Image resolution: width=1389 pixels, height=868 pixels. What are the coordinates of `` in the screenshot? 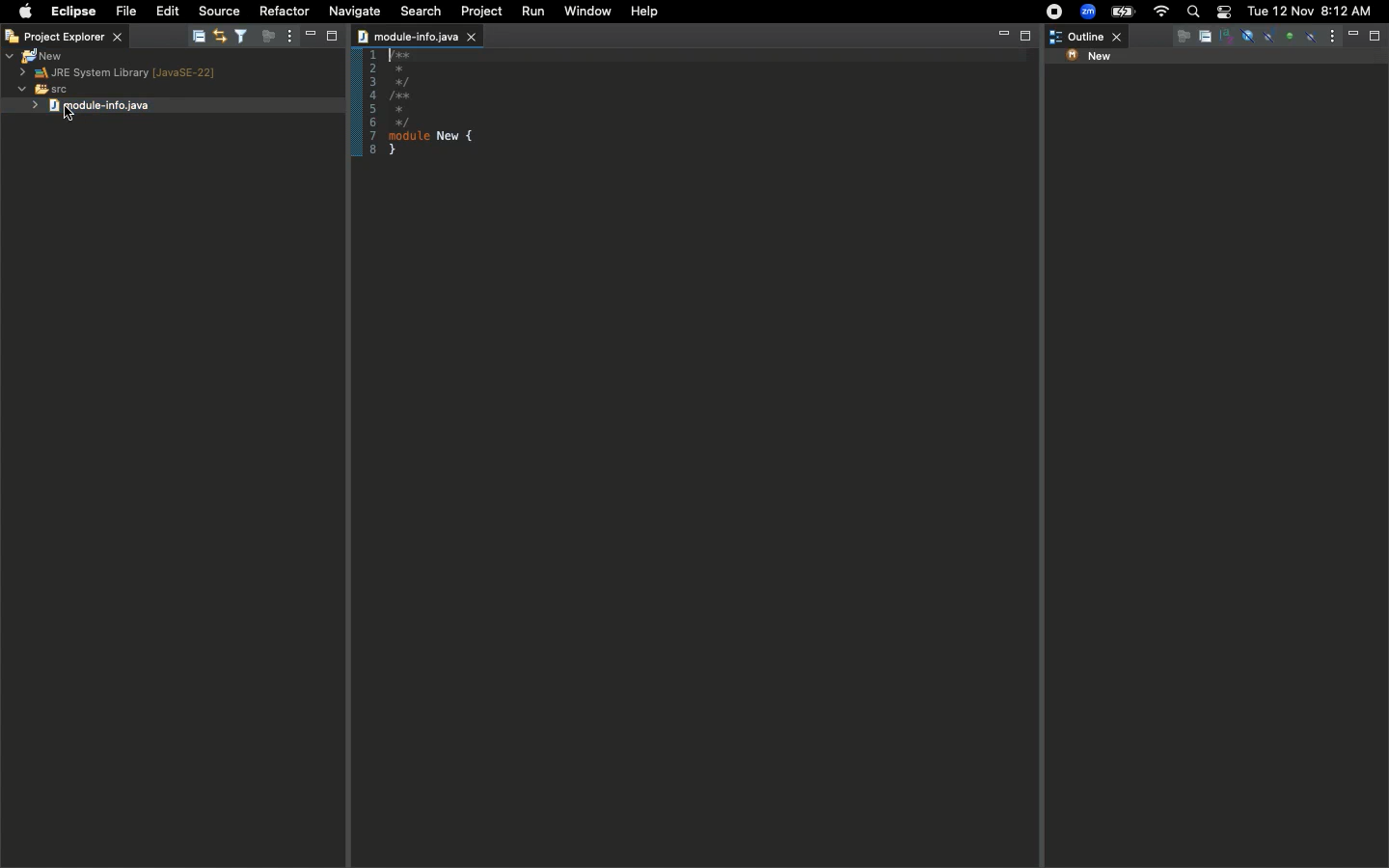 It's located at (1226, 34).